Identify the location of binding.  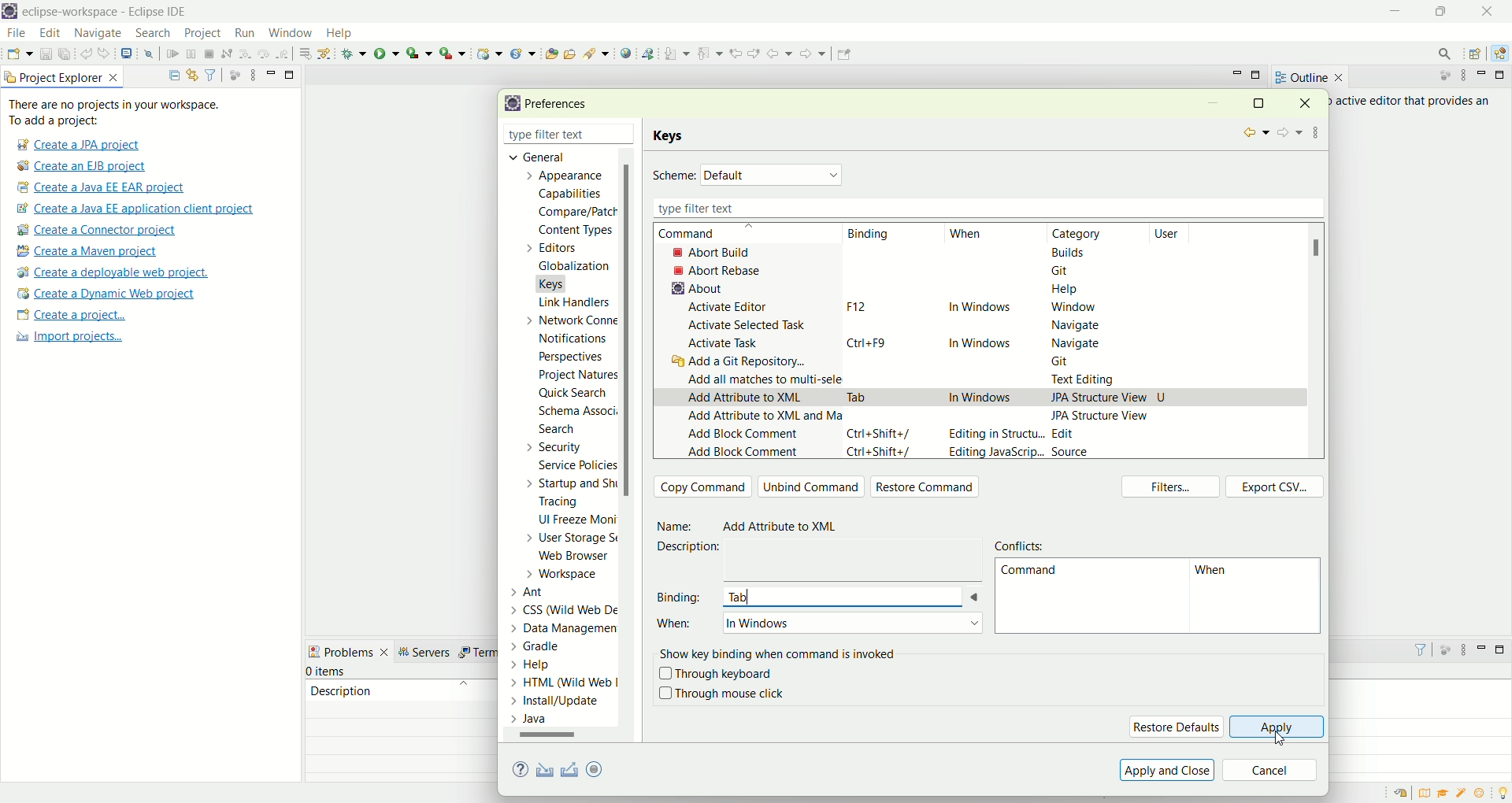
(681, 596).